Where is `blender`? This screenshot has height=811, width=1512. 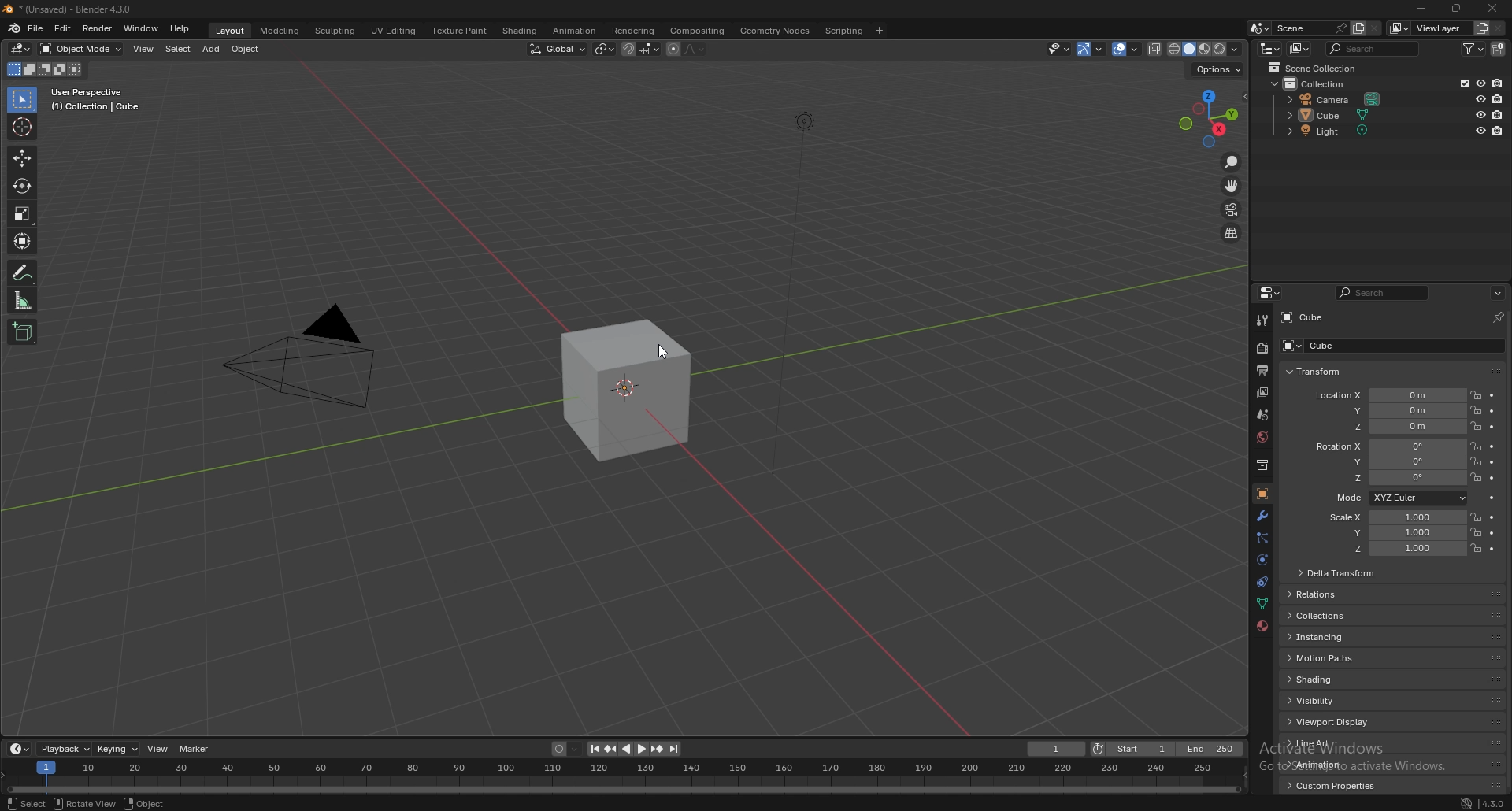
blender is located at coordinates (13, 28).